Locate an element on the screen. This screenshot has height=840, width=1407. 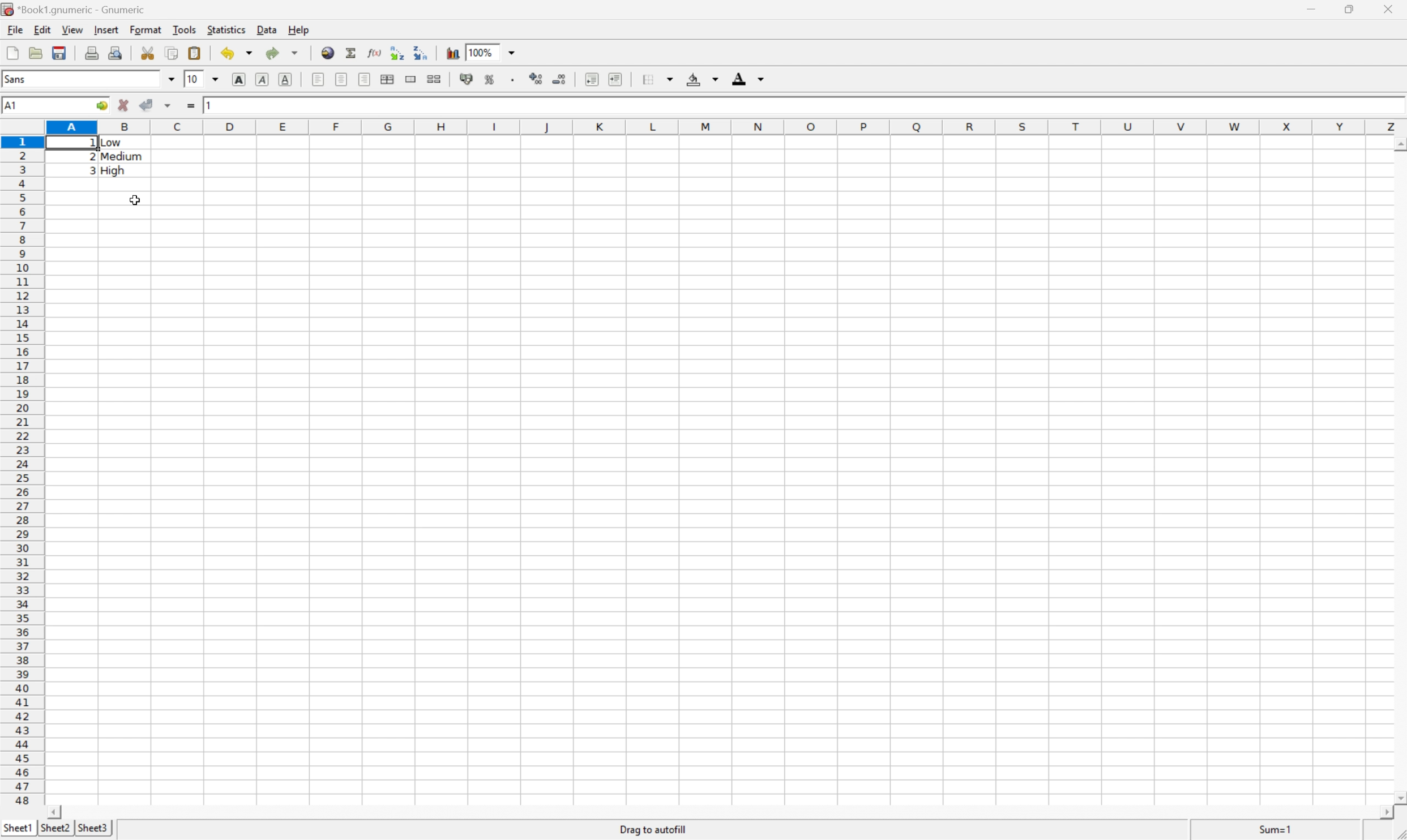
Column names is located at coordinates (723, 127).